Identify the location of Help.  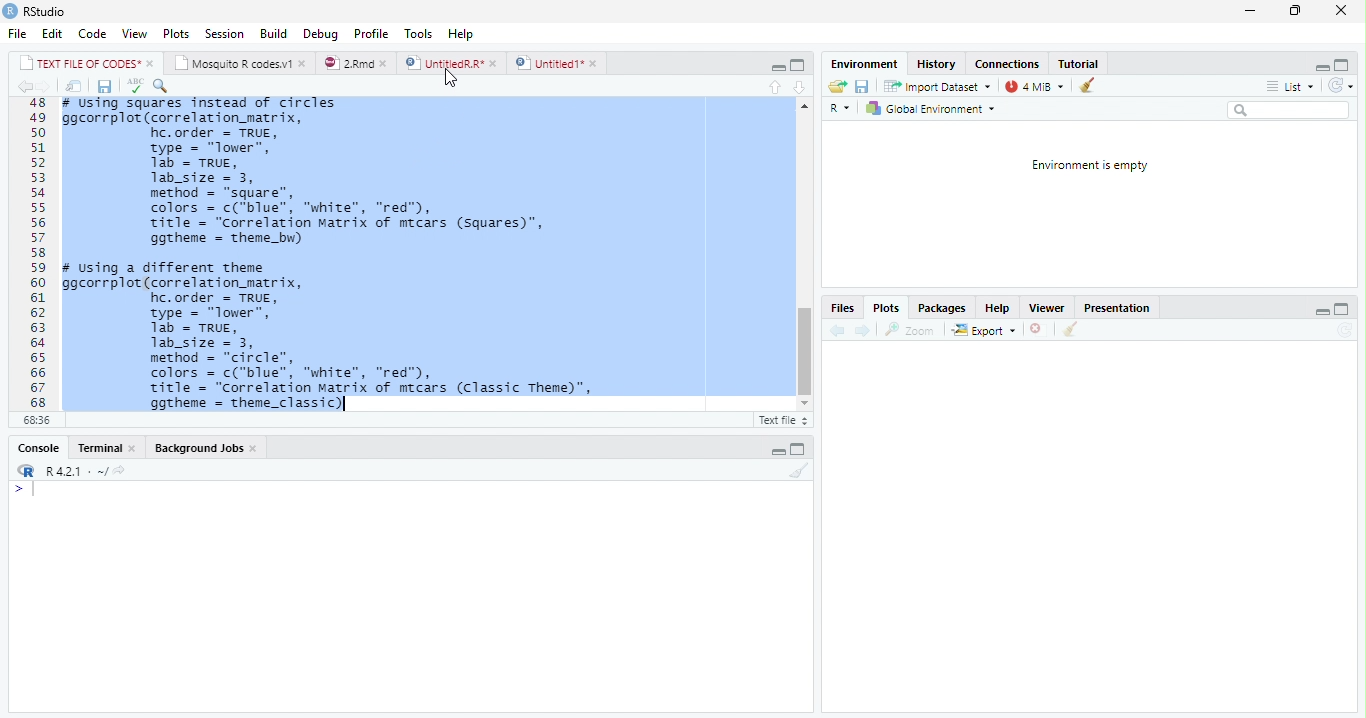
(1000, 308).